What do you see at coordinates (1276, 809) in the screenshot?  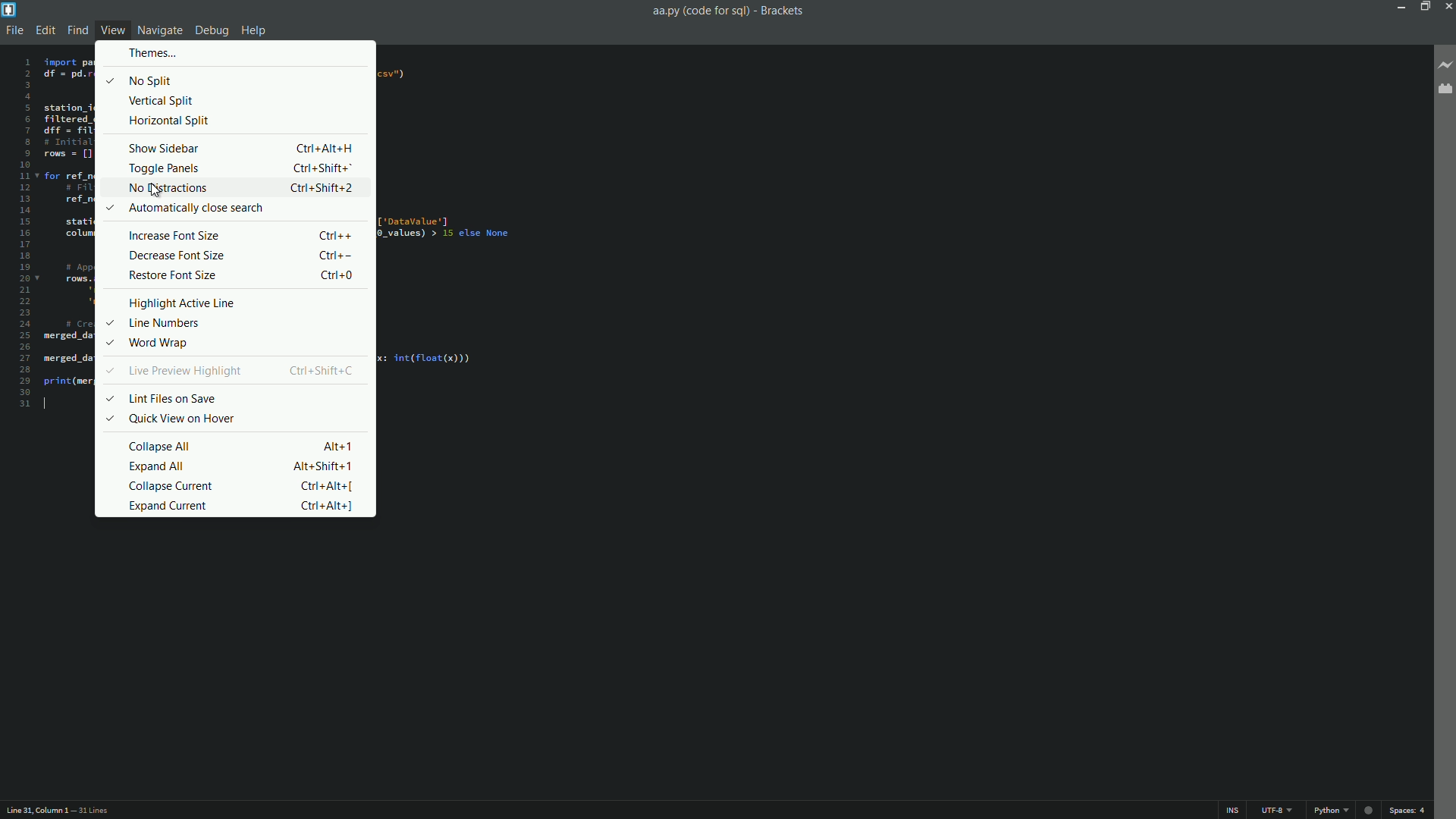 I see `UTF-8` at bounding box center [1276, 809].